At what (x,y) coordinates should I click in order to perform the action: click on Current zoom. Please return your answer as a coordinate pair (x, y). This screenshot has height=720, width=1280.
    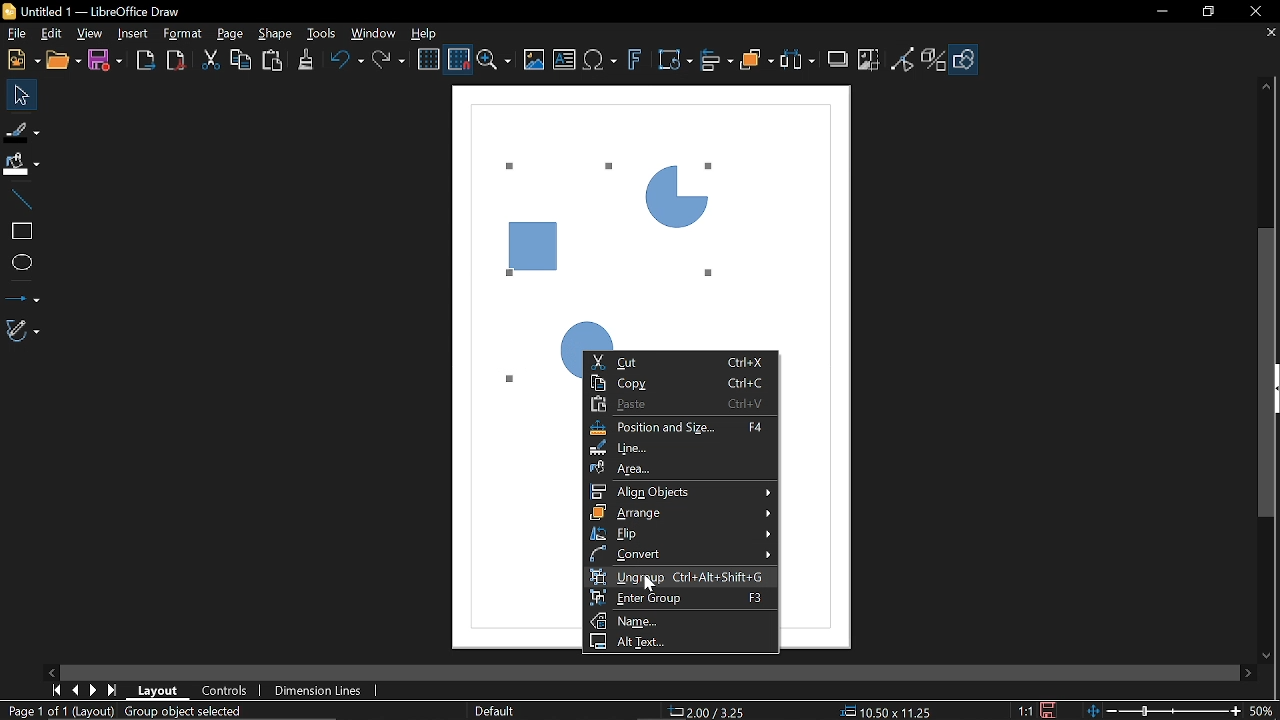
    Looking at the image, I should click on (58, 690).